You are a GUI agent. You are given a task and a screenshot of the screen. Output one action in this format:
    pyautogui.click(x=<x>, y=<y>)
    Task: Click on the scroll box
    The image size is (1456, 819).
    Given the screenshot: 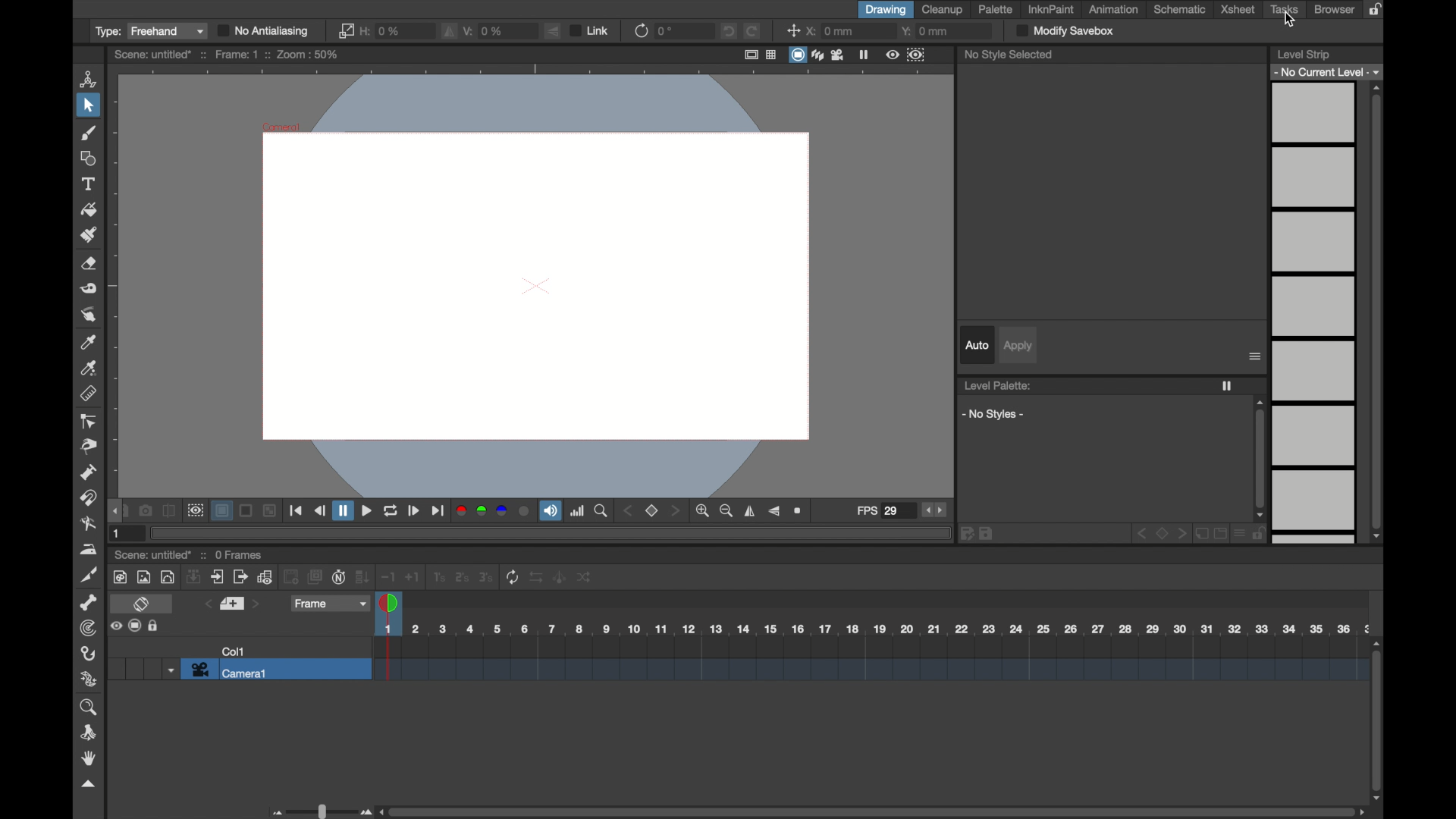 What is the action you would take?
    pyautogui.click(x=872, y=813)
    